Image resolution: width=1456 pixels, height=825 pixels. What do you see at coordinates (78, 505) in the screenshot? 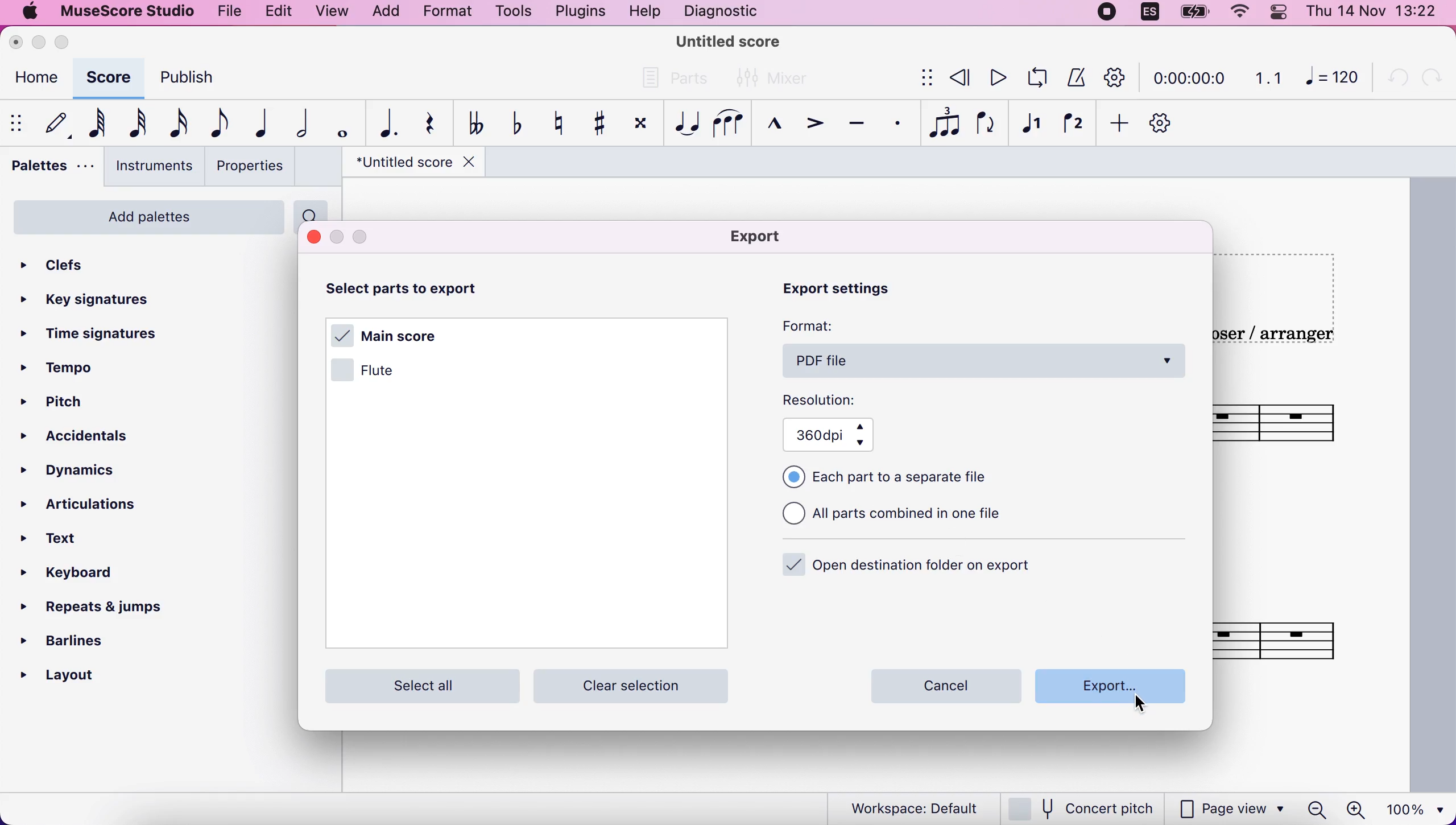
I see `articulations` at bounding box center [78, 505].